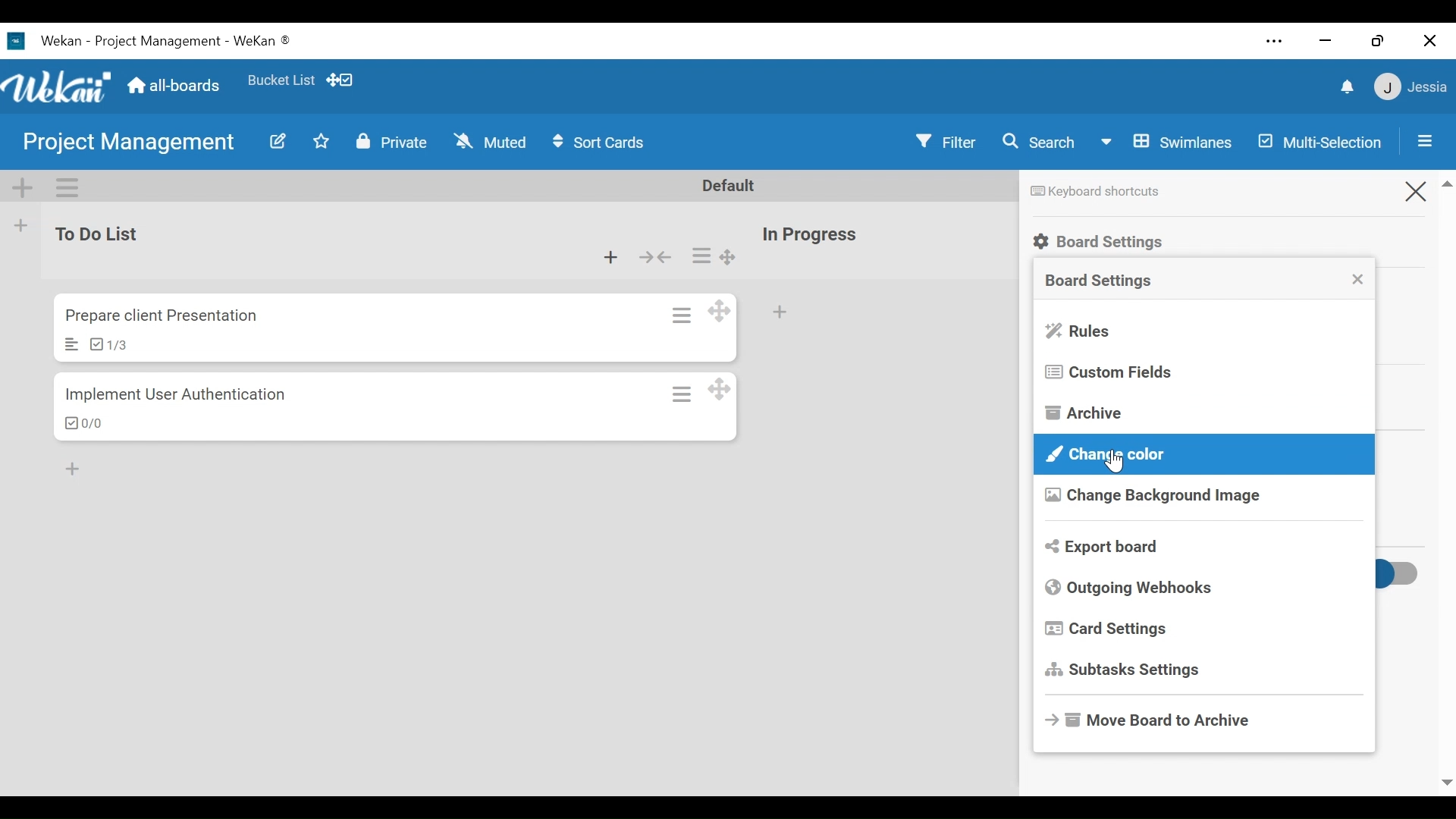 Image resolution: width=1456 pixels, height=819 pixels. What do you see at coordinates (83, 424) in the screenshot?
I see `Checklist` at bounding box center [83, 424].